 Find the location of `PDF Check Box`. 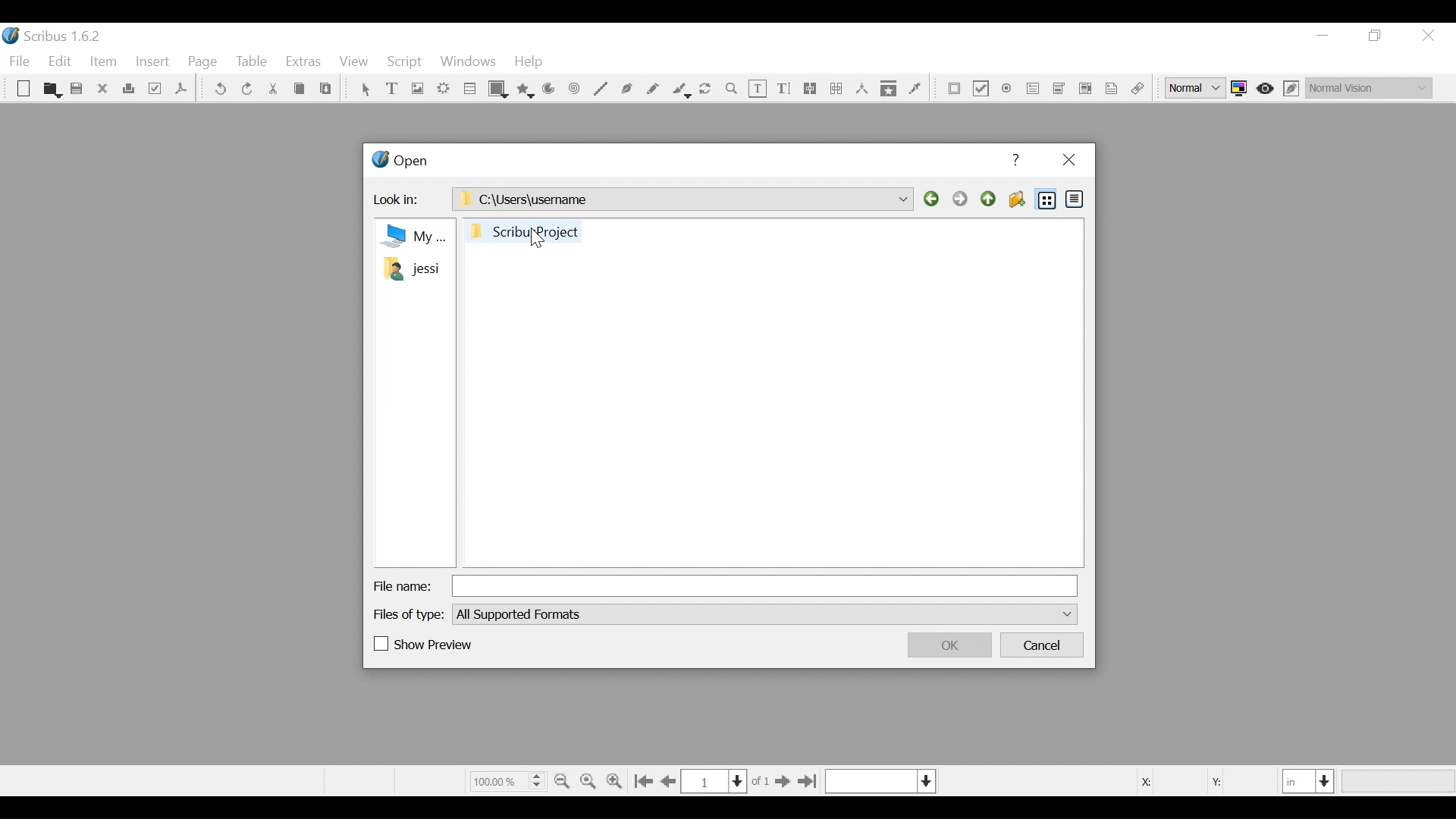

PDF Check Box is located at coordinates (981, 90).